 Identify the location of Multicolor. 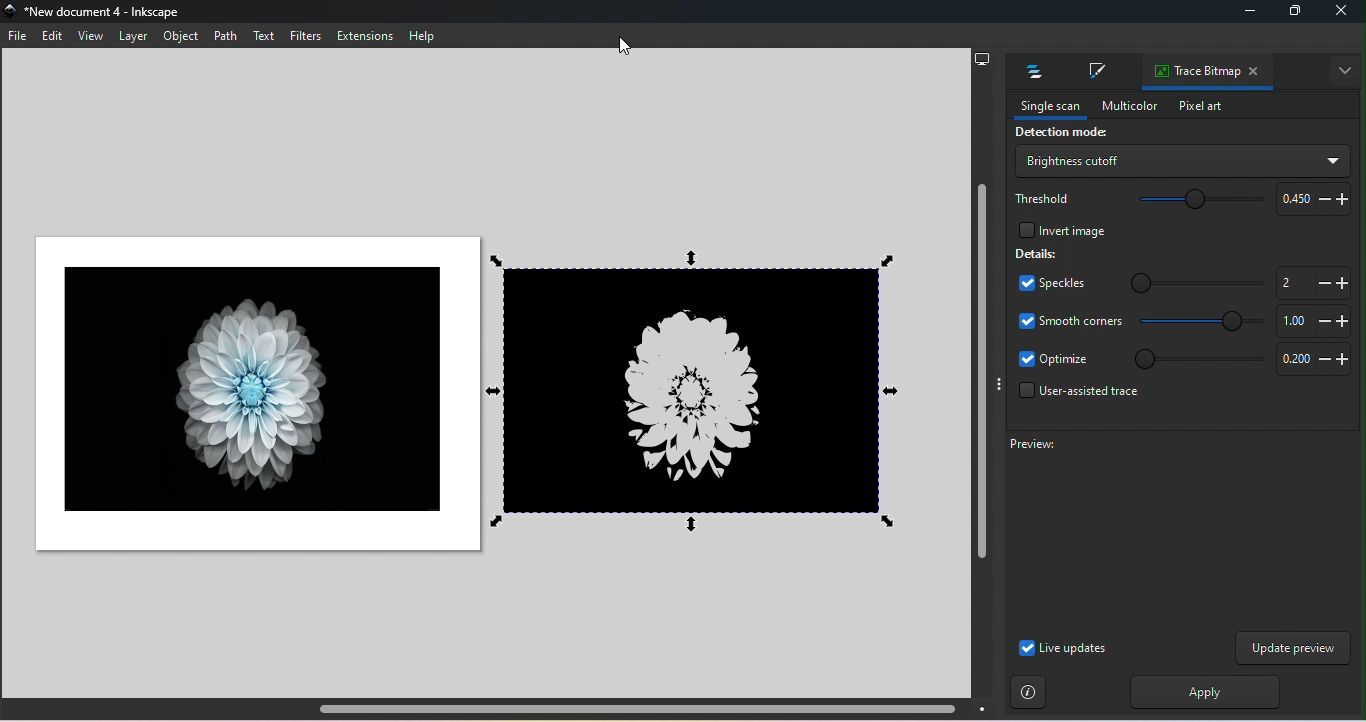
(1124, 104).